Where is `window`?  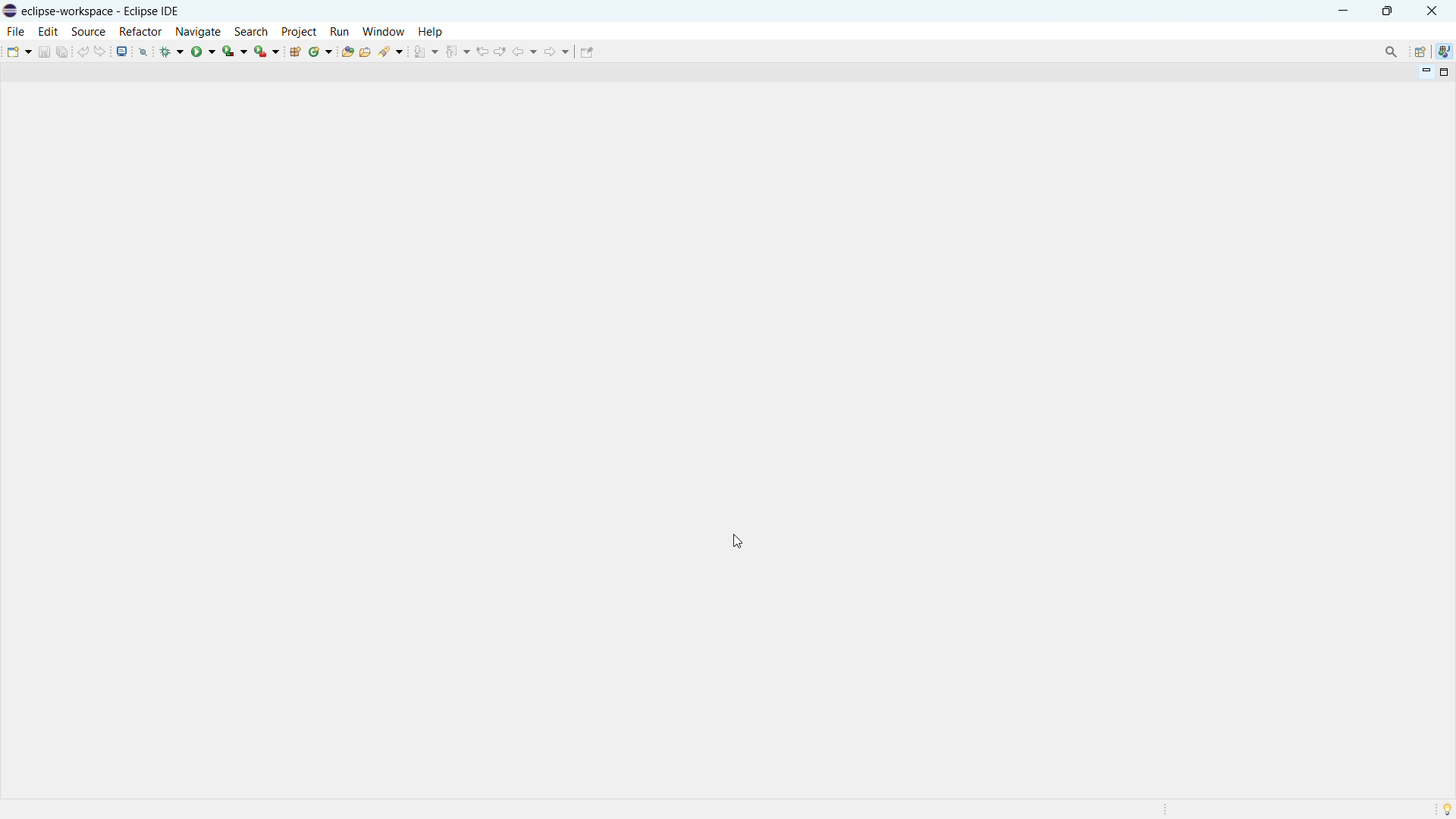
window is located at coordinates (383, 31).